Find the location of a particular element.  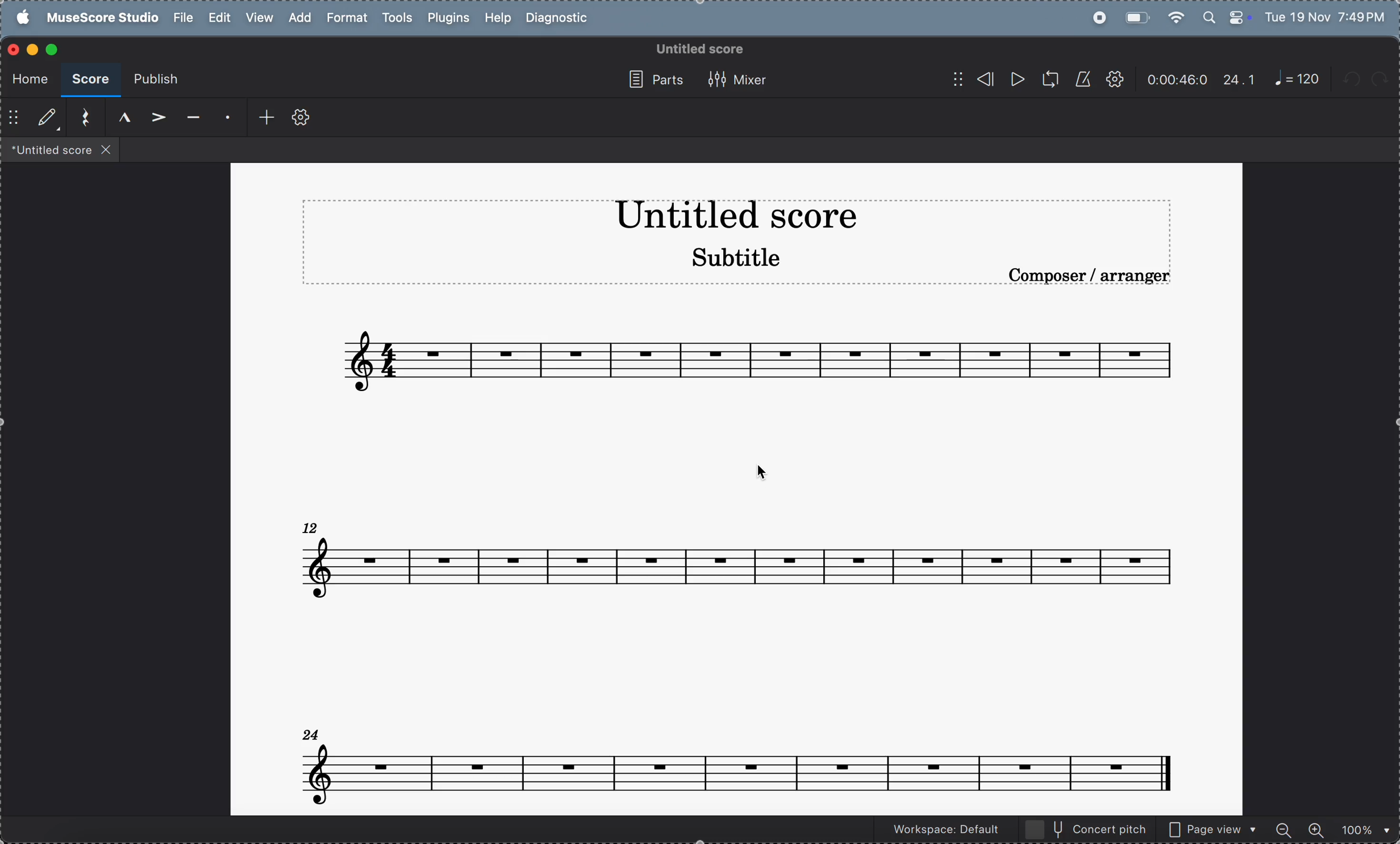

redo is located at coordinates (1386, 80).